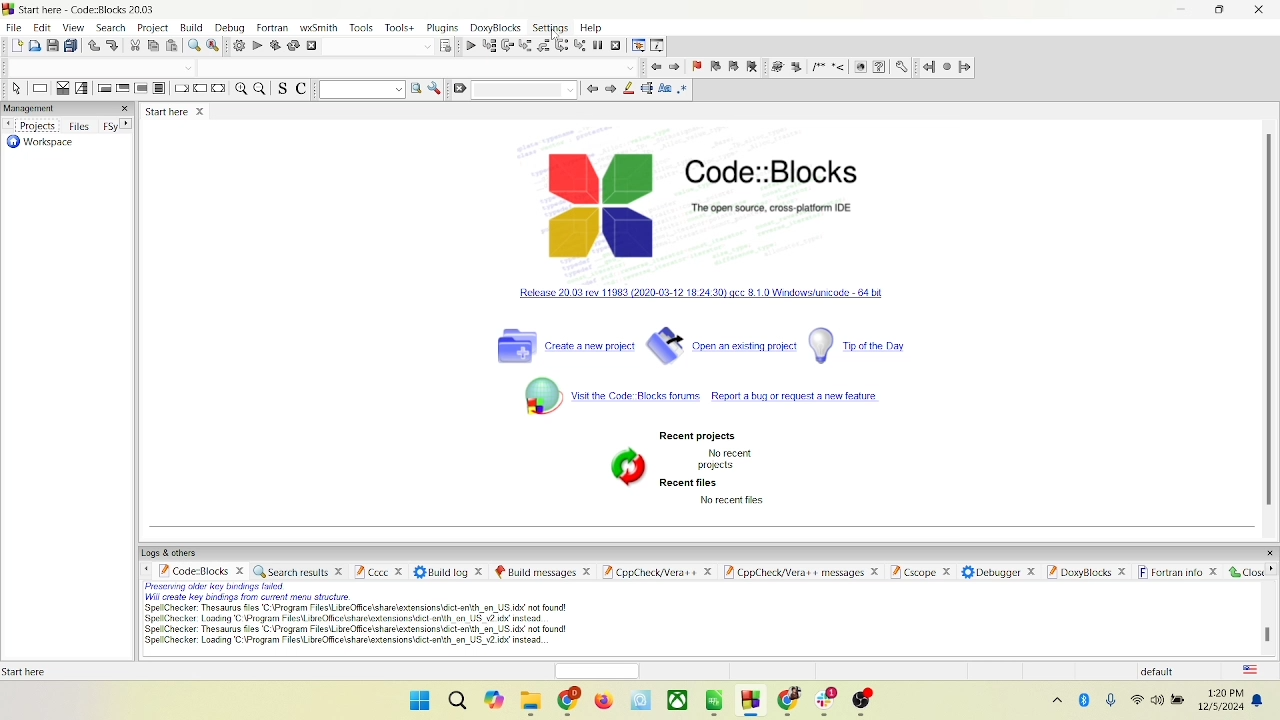 This screenshot has height=720, width=1280. Describe the element at coordinates (15, 88) in the screenshot. I see `select` at that location.